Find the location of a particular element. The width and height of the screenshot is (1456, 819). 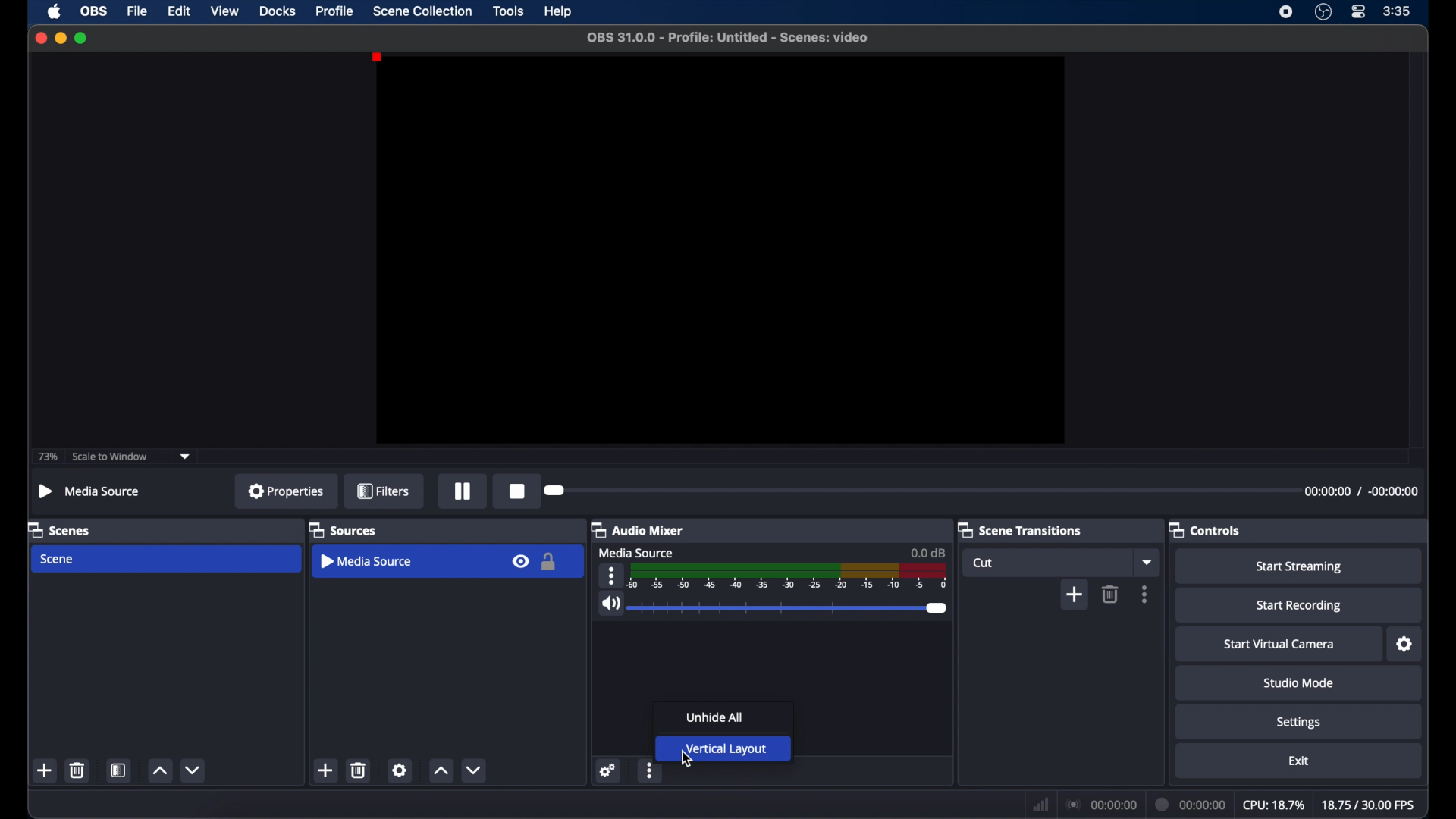

settings is located at coordinates (608, 770).